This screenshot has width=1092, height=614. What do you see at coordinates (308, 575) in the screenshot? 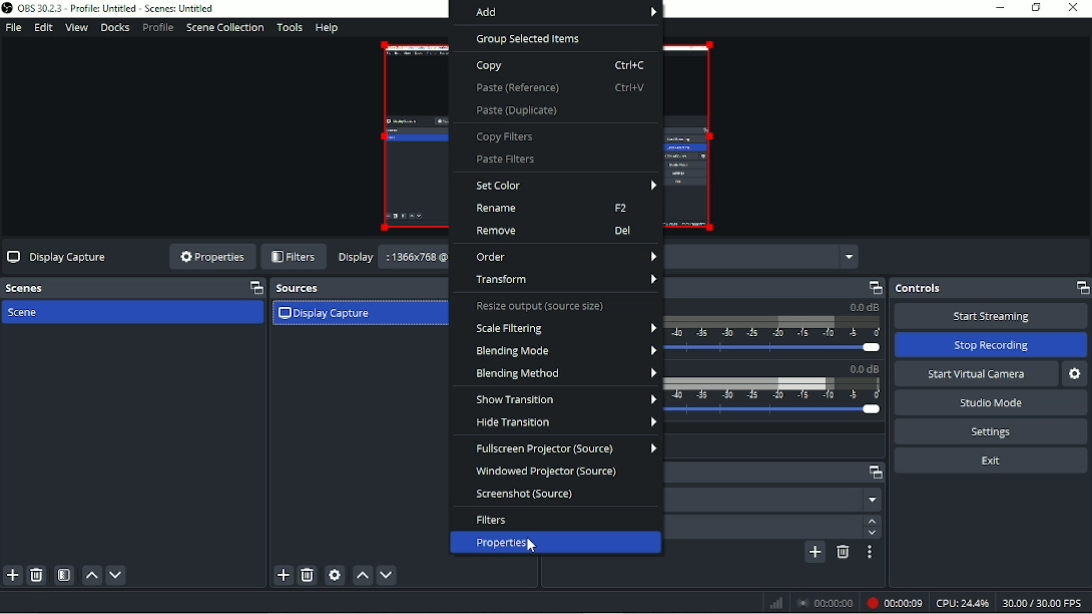
I see `Remove selected source(s)` at bounding box center [308, 575].